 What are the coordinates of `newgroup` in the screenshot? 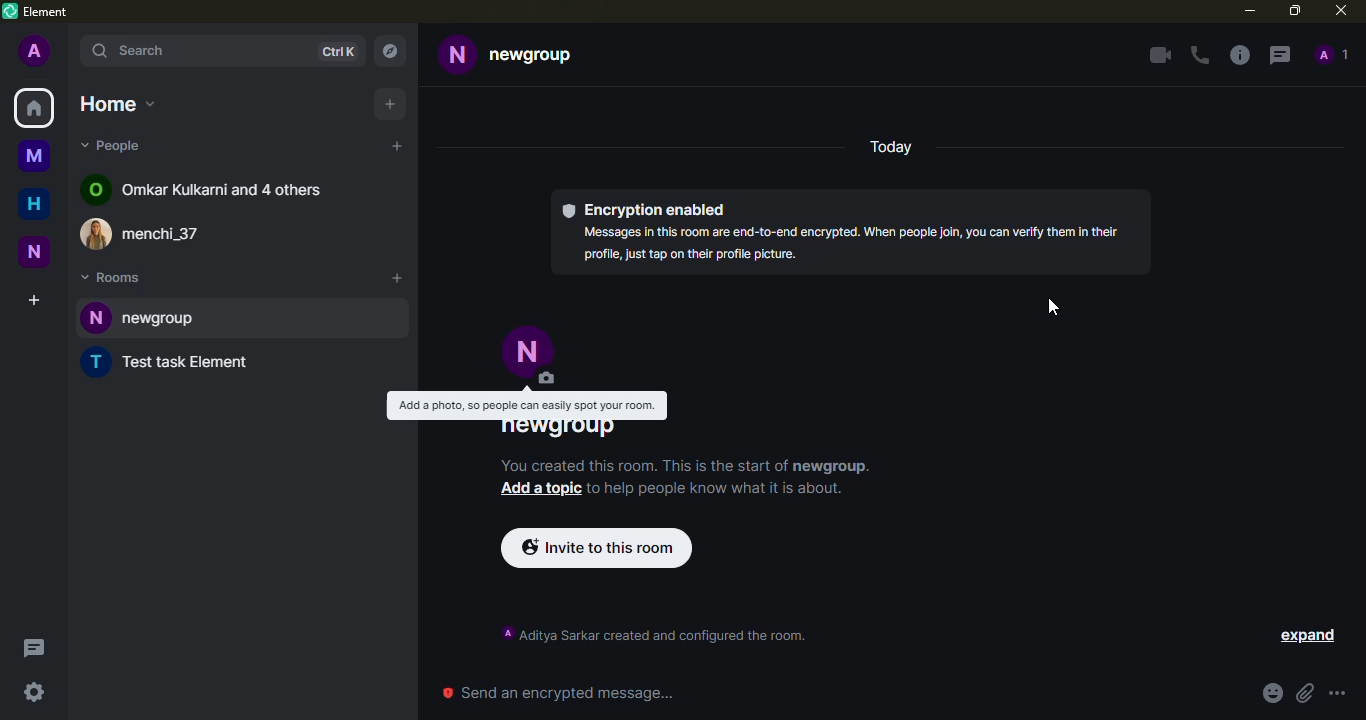 It's located at (533, 55).